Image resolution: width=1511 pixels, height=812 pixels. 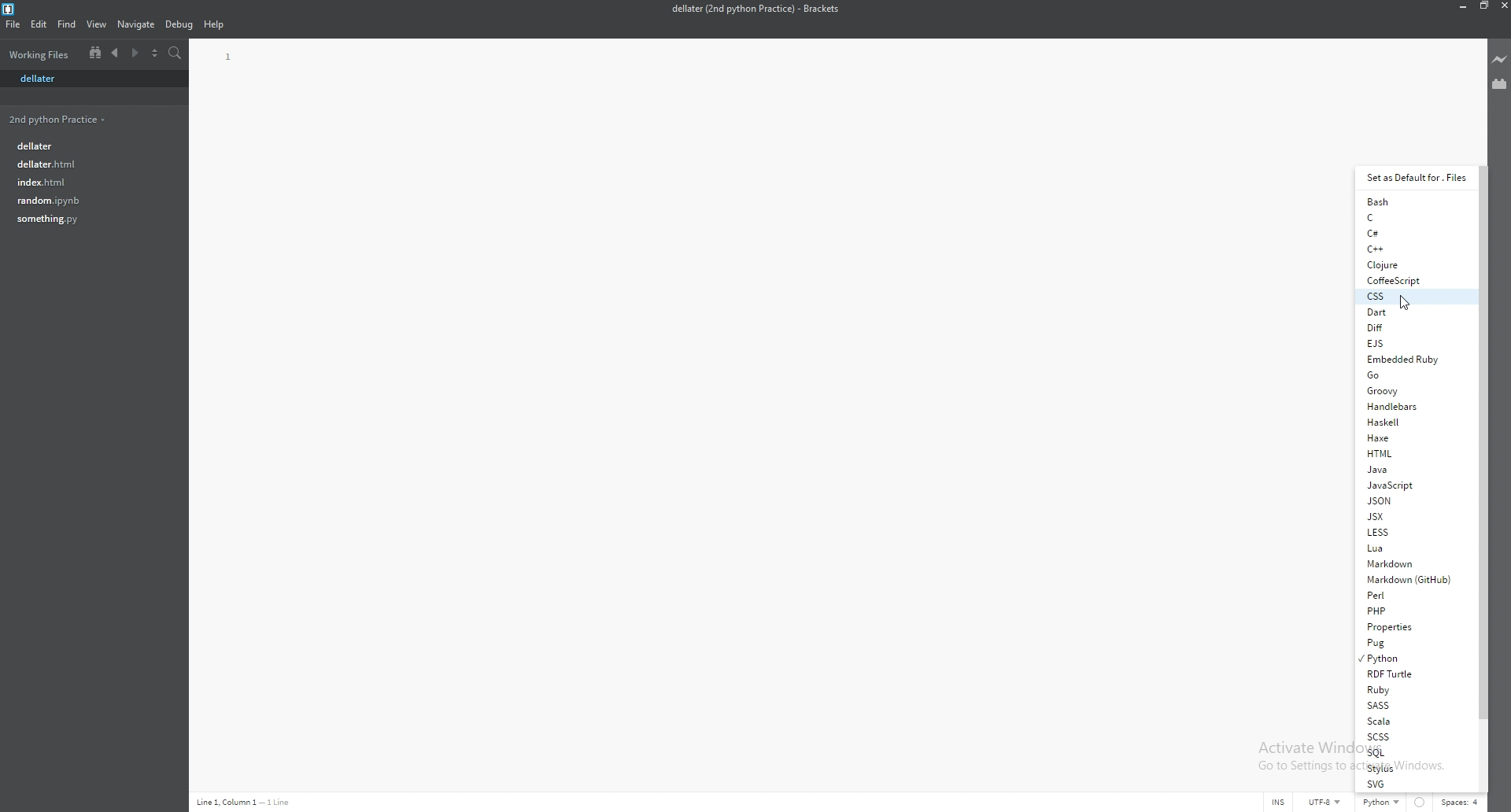 I want to click on description, so click(x=246, y=802).